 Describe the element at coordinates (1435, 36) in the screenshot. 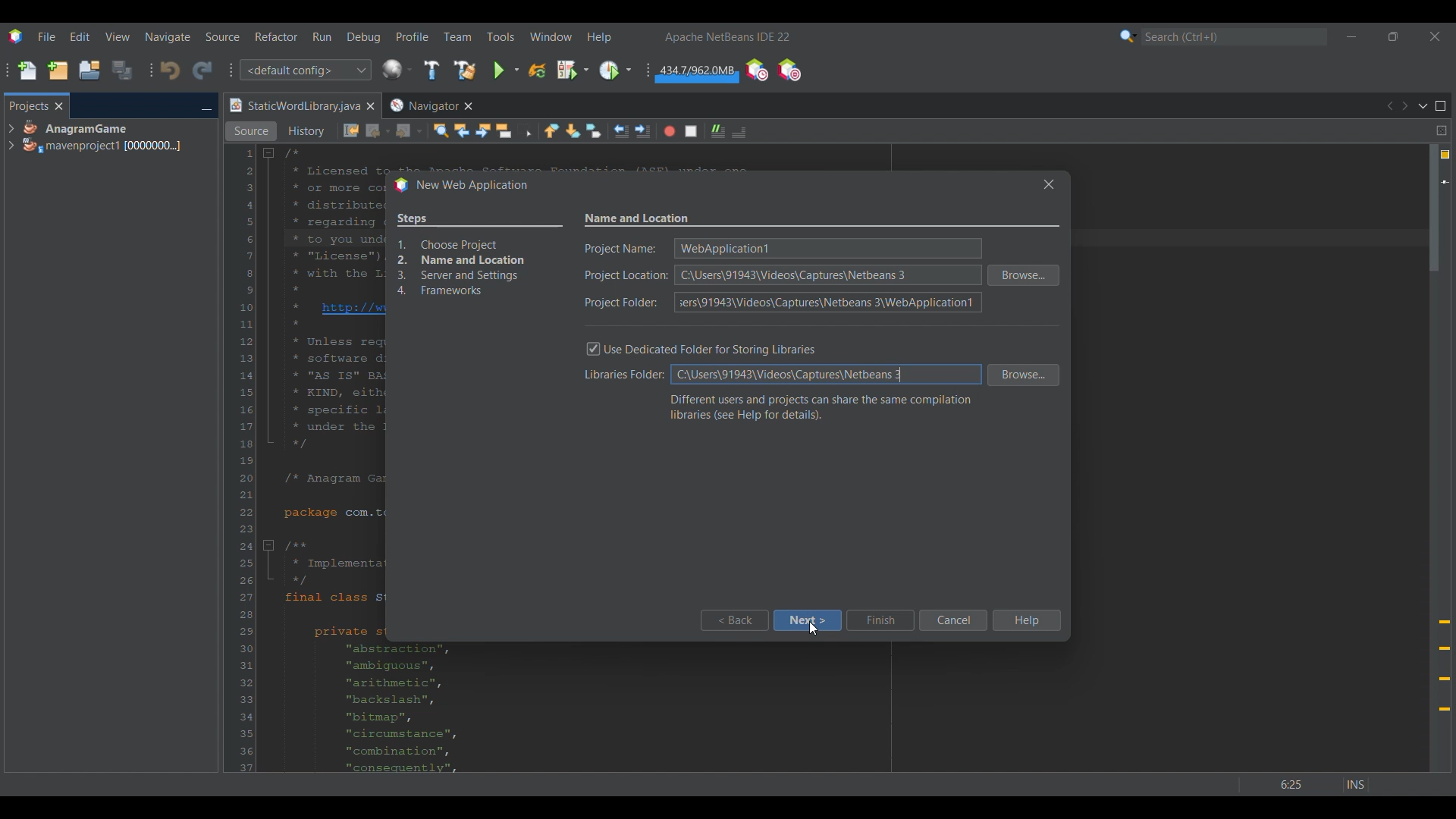

I see `Close interface` at that location.